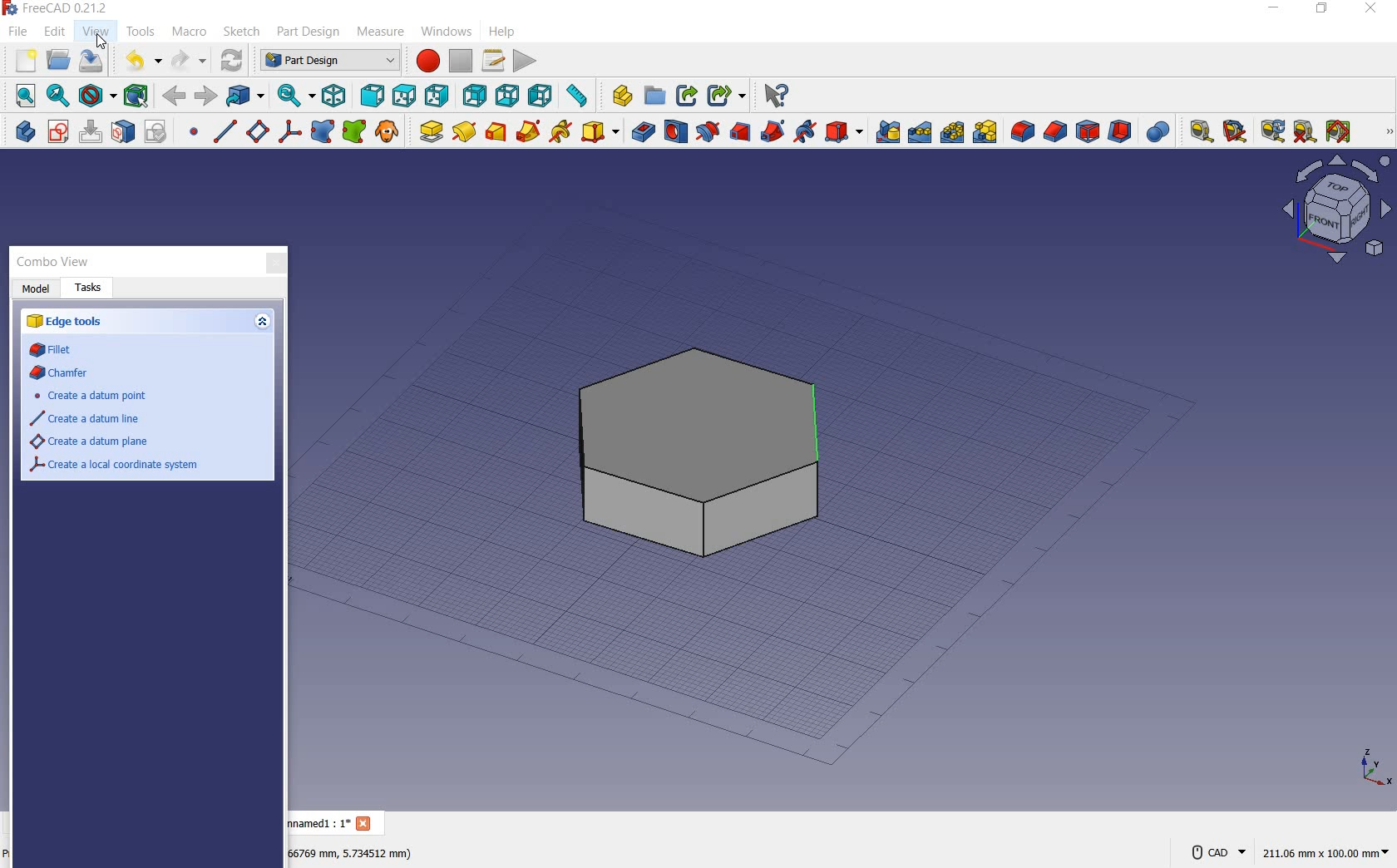 This screenshot has width=1397, height=868. What do you see at coordinates (22, 129) in the screenshot?
I see `create body` at bounding box center [22, 129].